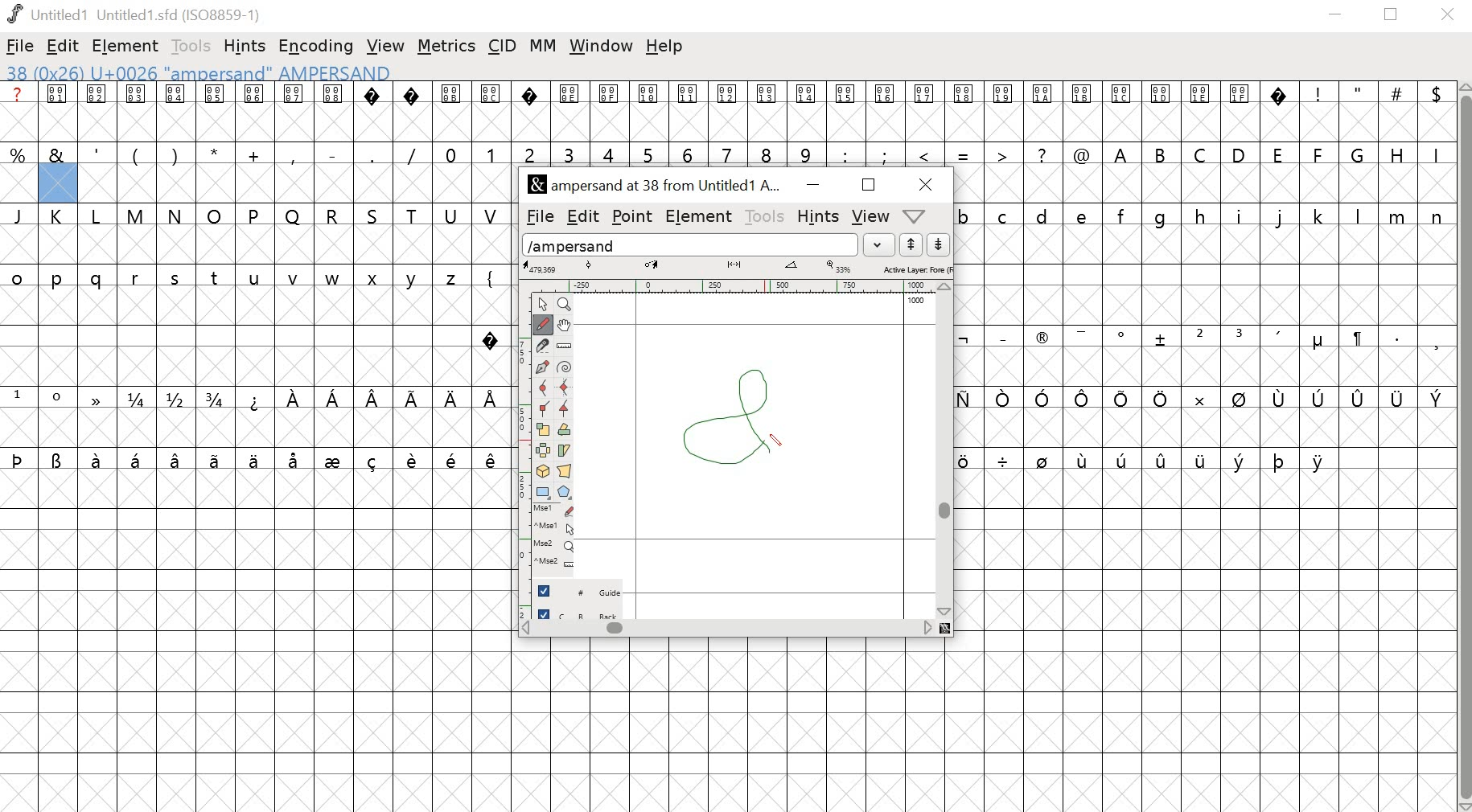  I want to click on D, so click(1240, 154).